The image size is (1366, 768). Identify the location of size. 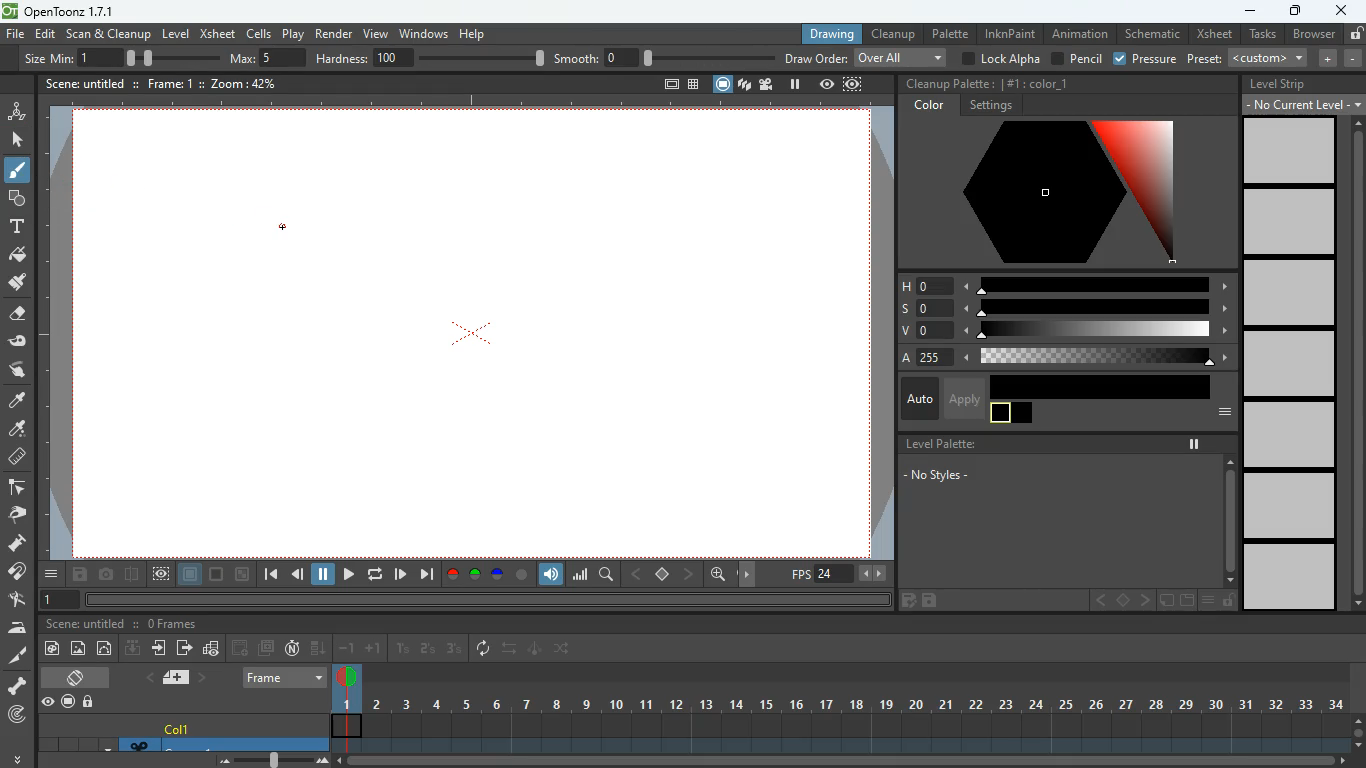
(243, 575).